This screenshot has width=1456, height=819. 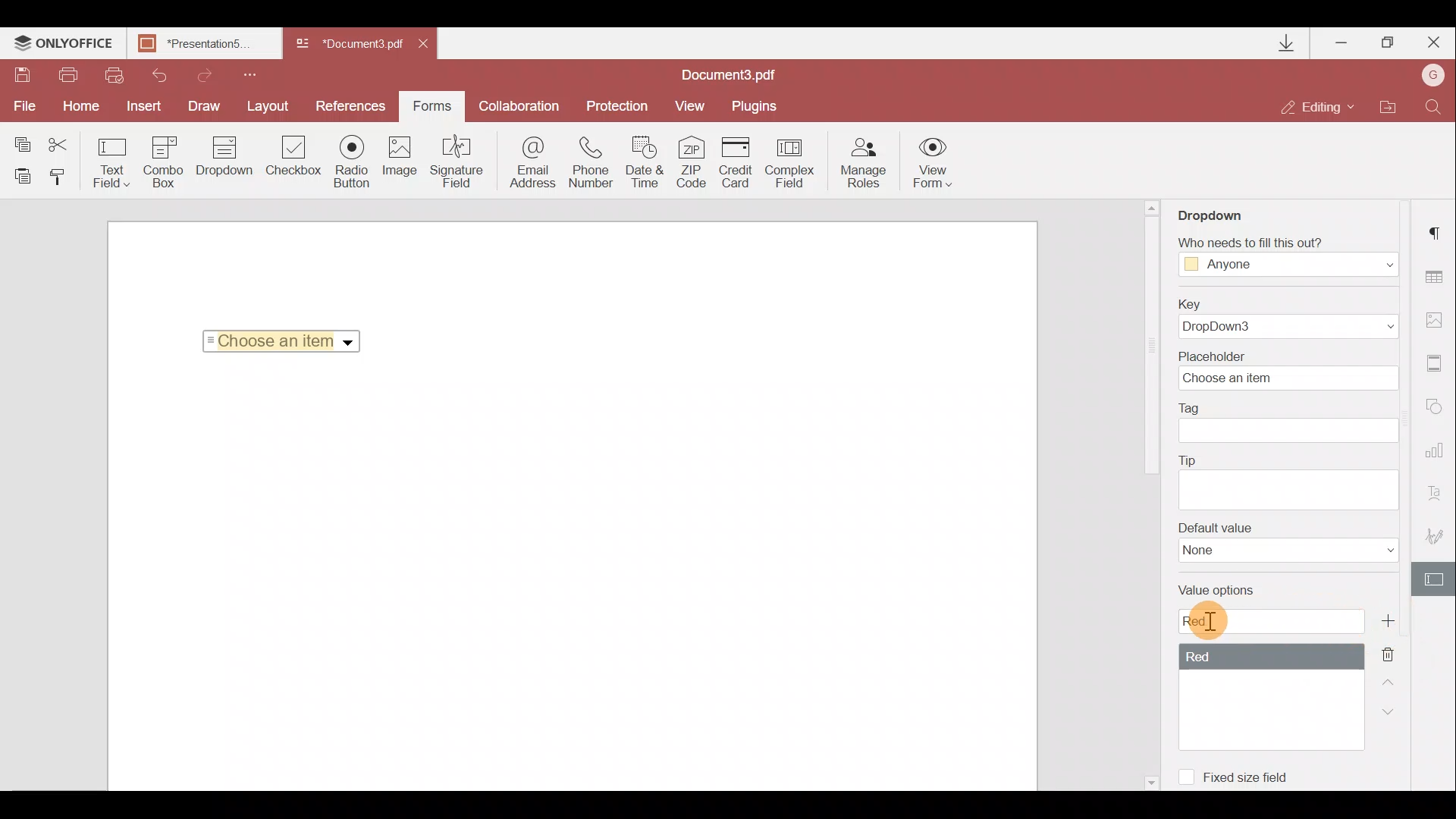 What do you see at coordinates (1441, 277) in the screenshot?
I see `Table settings` at bounding box center [1441, 277].